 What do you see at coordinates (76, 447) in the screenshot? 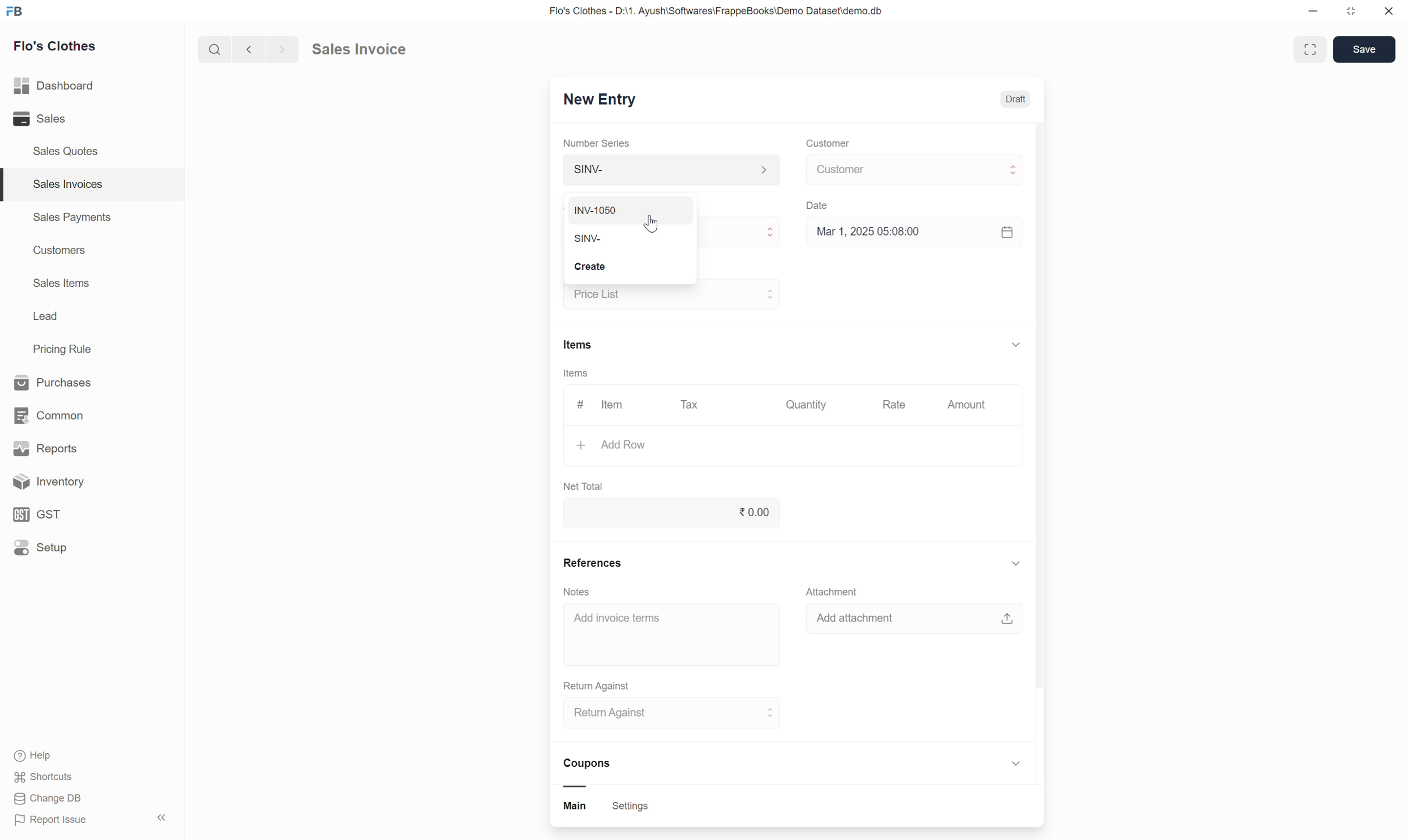
I see `Reports ` at bounding box center [76, 447].